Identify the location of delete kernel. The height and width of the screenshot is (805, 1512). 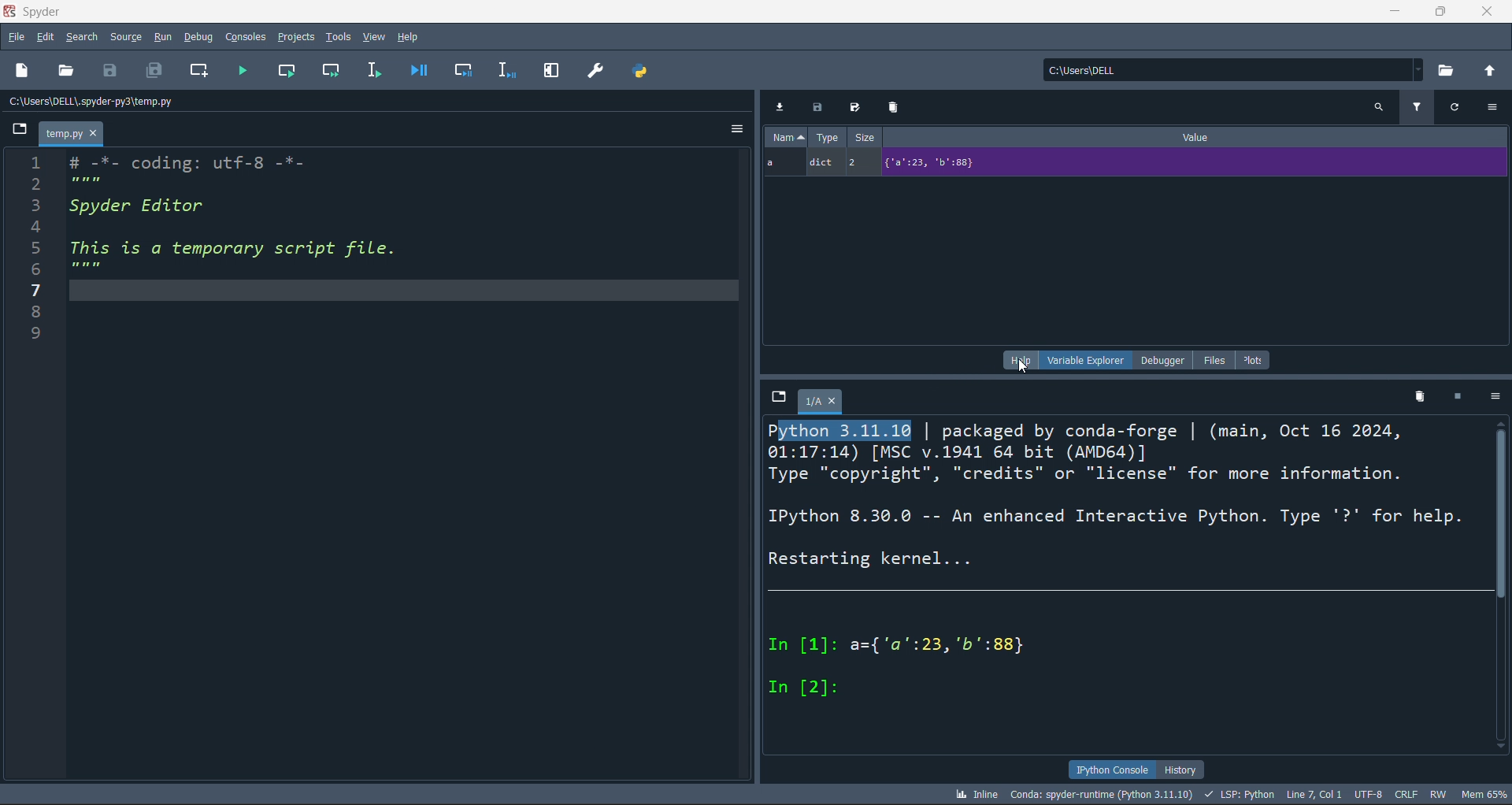
(1421, 397).